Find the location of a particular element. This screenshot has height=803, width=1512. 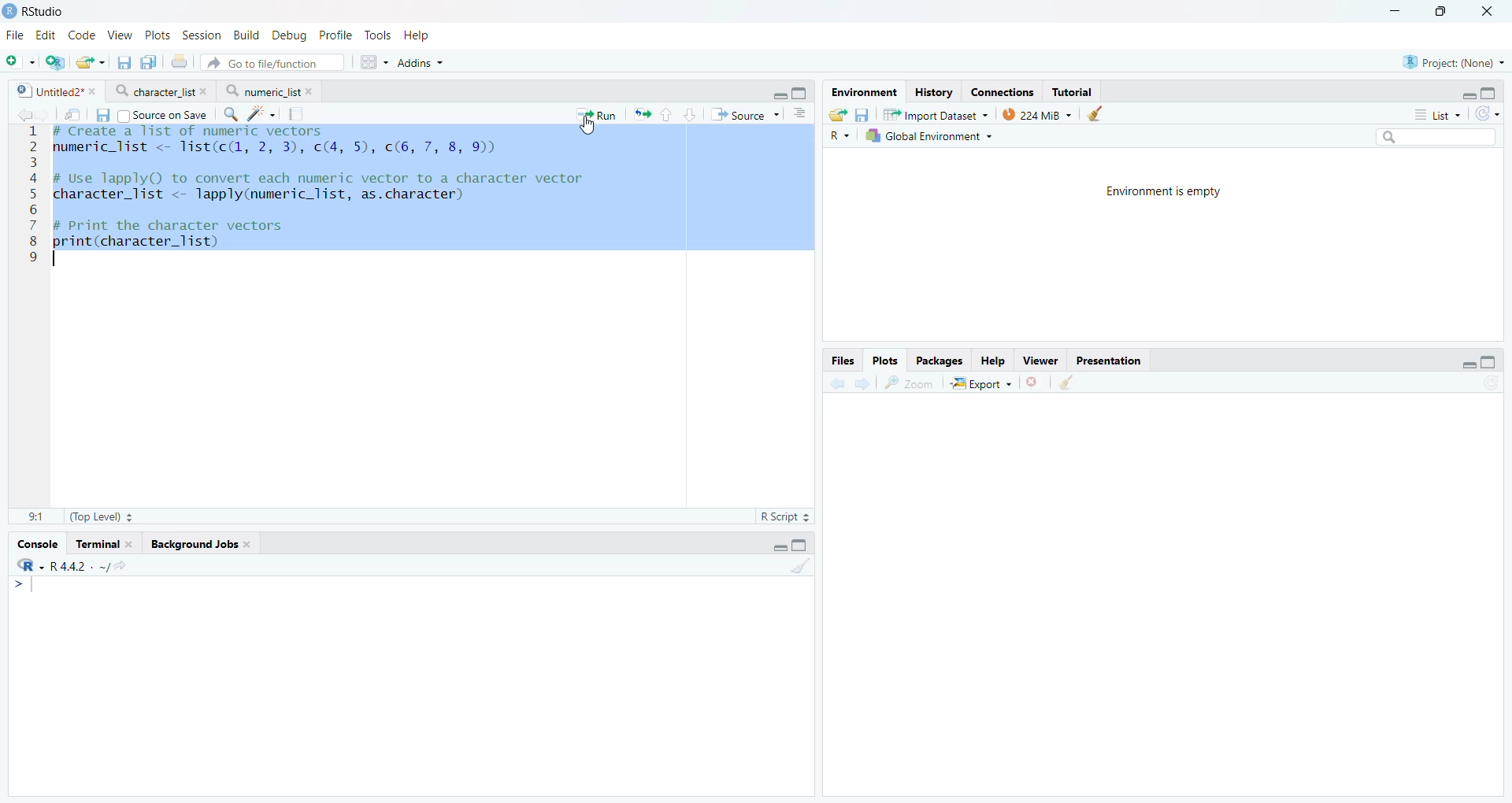

Full Height is located at coordinates (1490, 361).